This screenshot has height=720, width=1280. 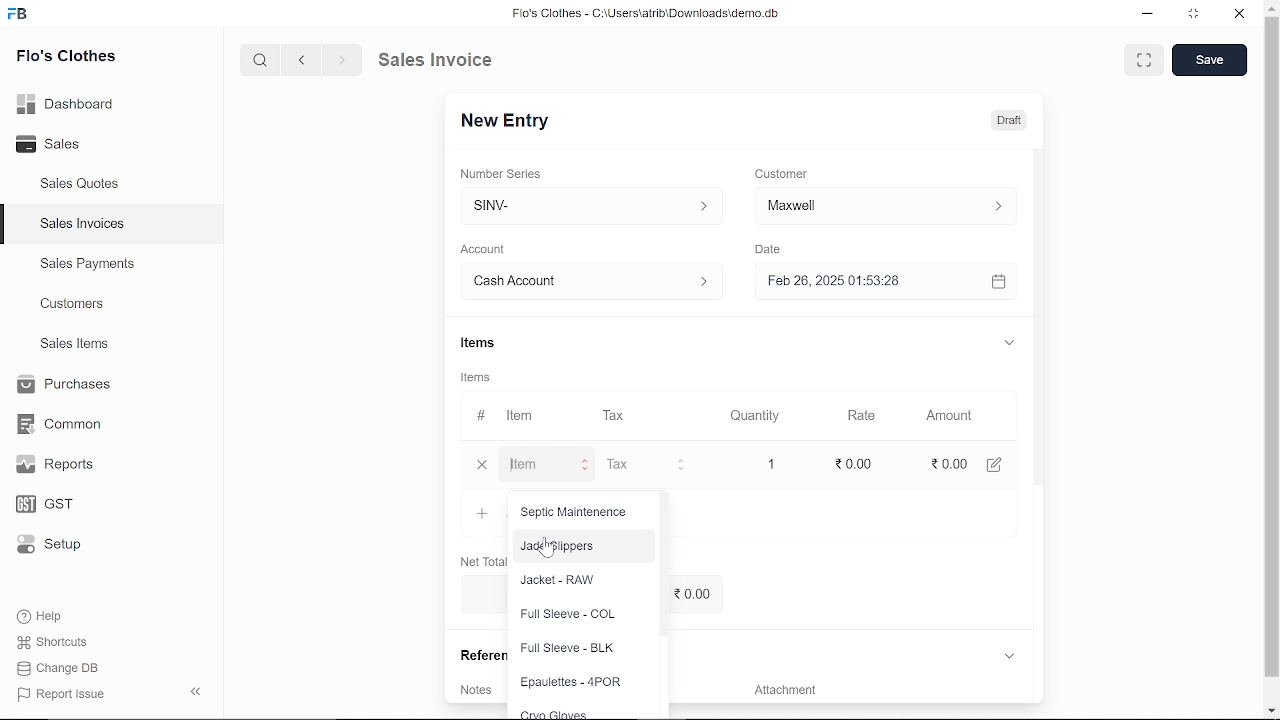 What do you see at coordinates (70, 103) in the screenshot?
I see `Dashboard` at bounding box center [70, 103].